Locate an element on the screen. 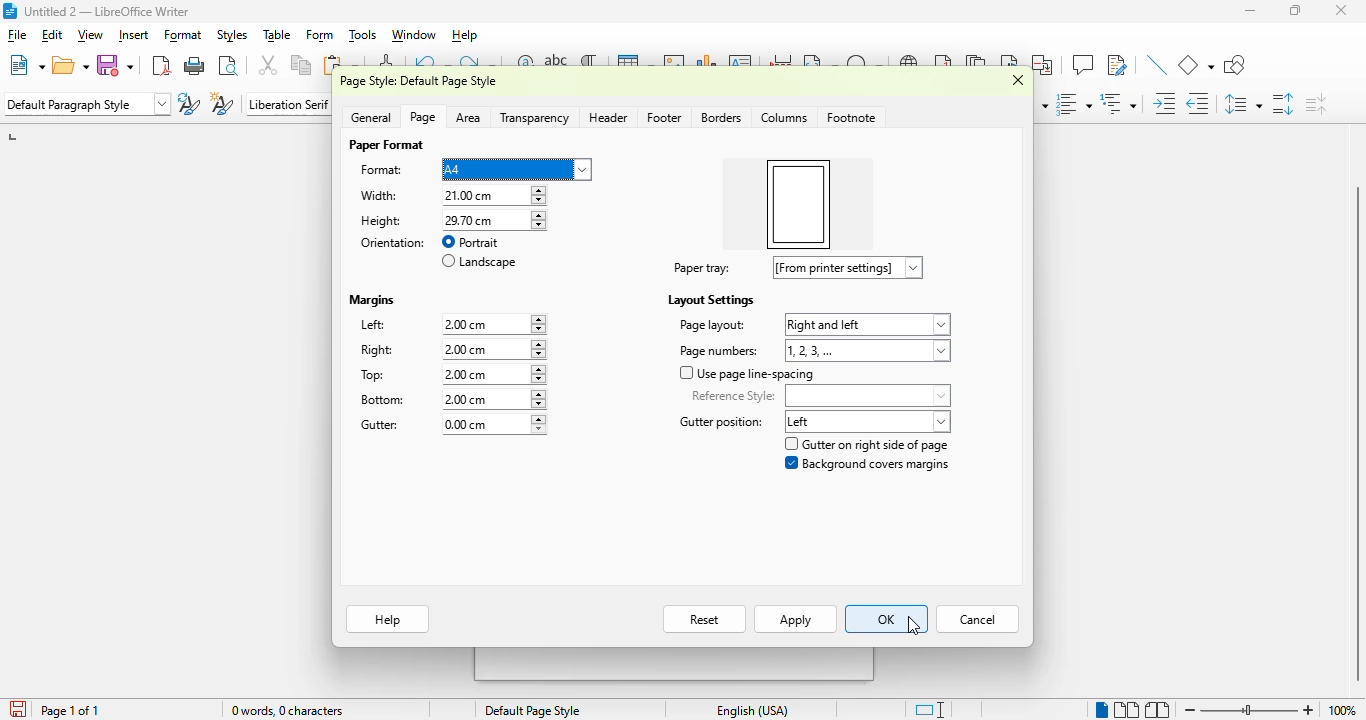 The height and width of the screenshot is (720, 1366). tools is located at coordinates (363, 34).